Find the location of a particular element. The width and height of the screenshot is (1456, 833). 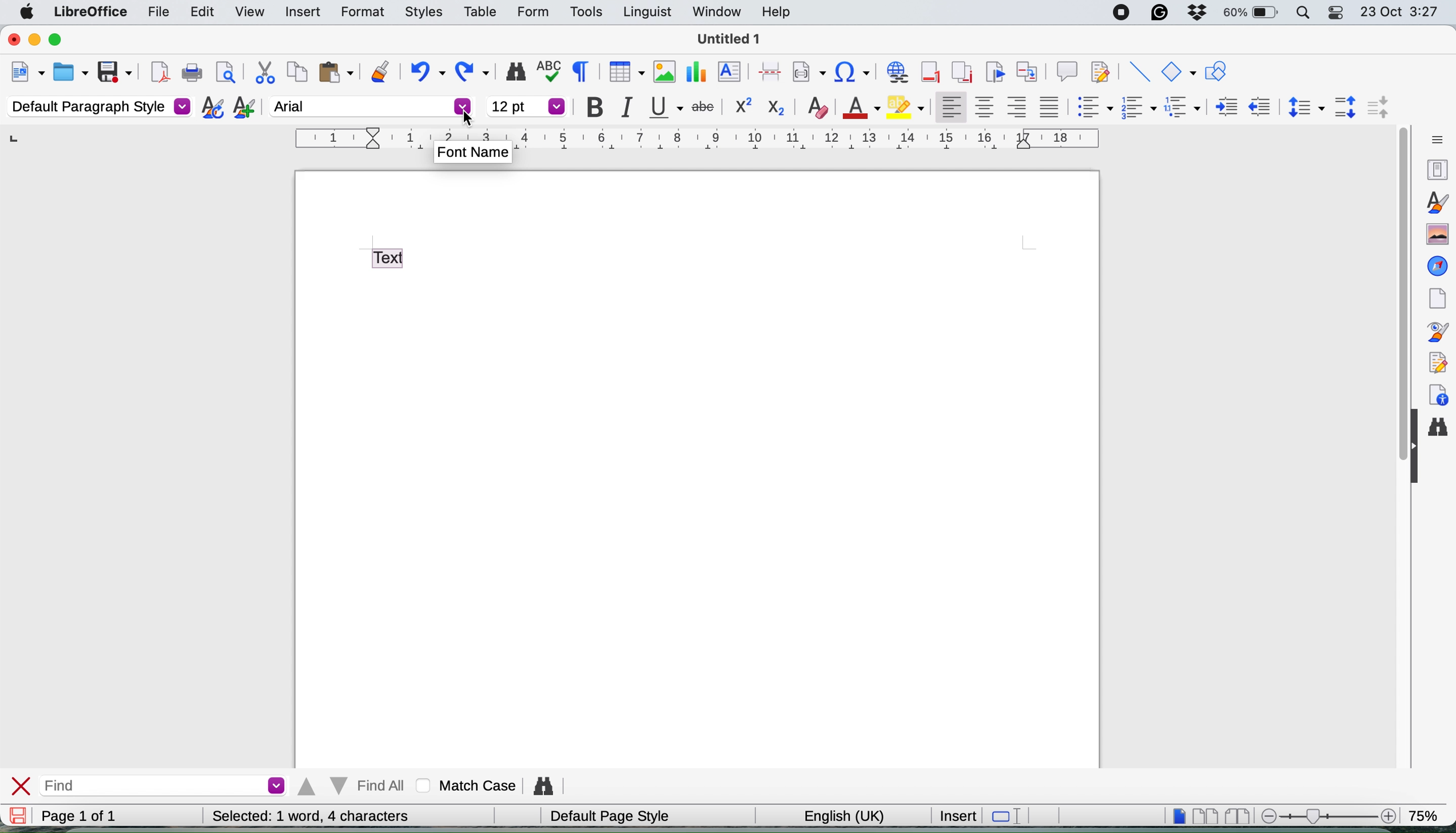

properties is located at coordinates (1437, 170).